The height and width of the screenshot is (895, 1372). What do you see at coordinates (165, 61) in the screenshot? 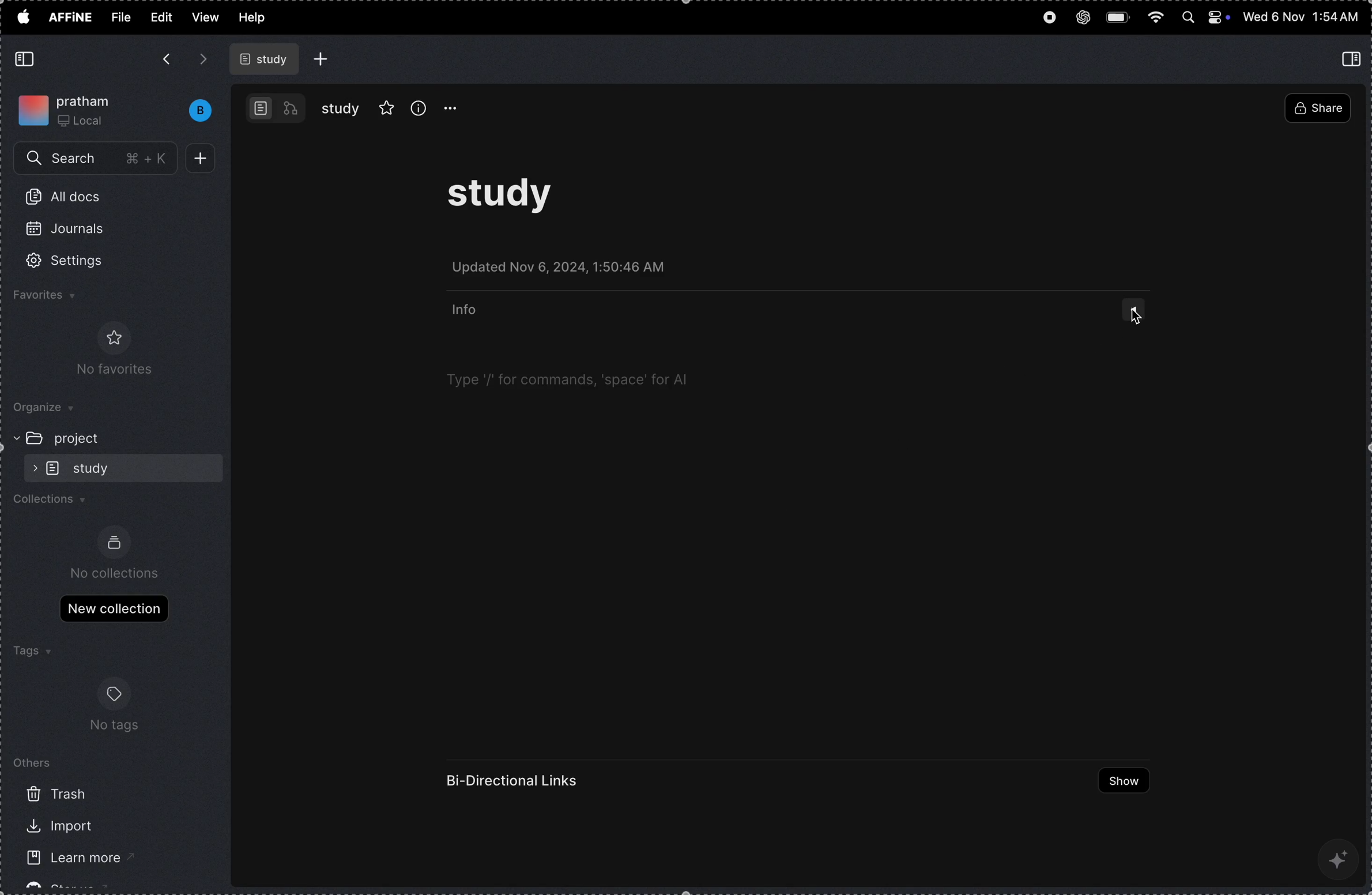
I see `backward` at bounding box center [165, 61].